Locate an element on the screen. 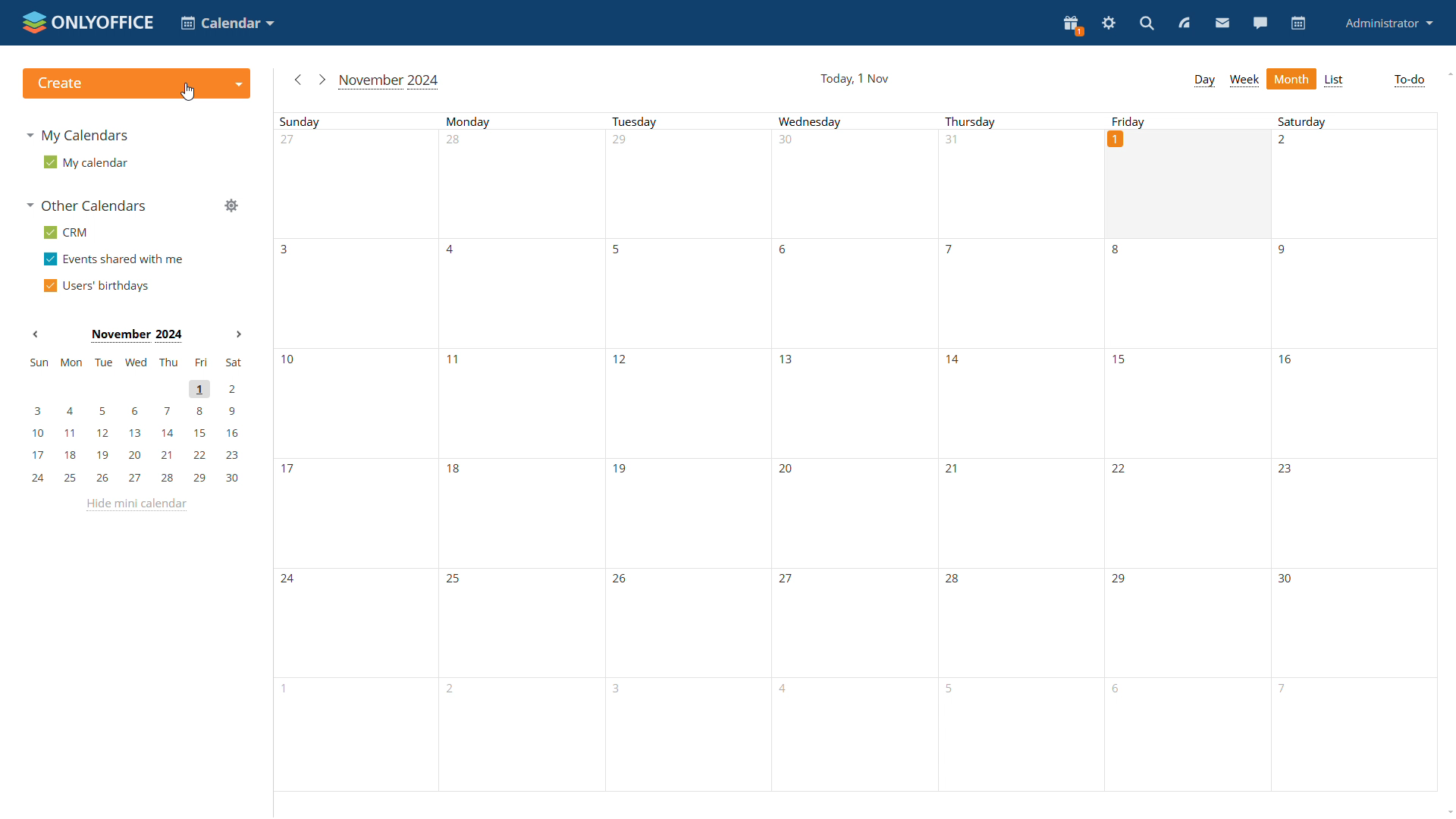 The width and height of the screenshot is (1456, 819). Wednesday is located at coordinates (852, 452).